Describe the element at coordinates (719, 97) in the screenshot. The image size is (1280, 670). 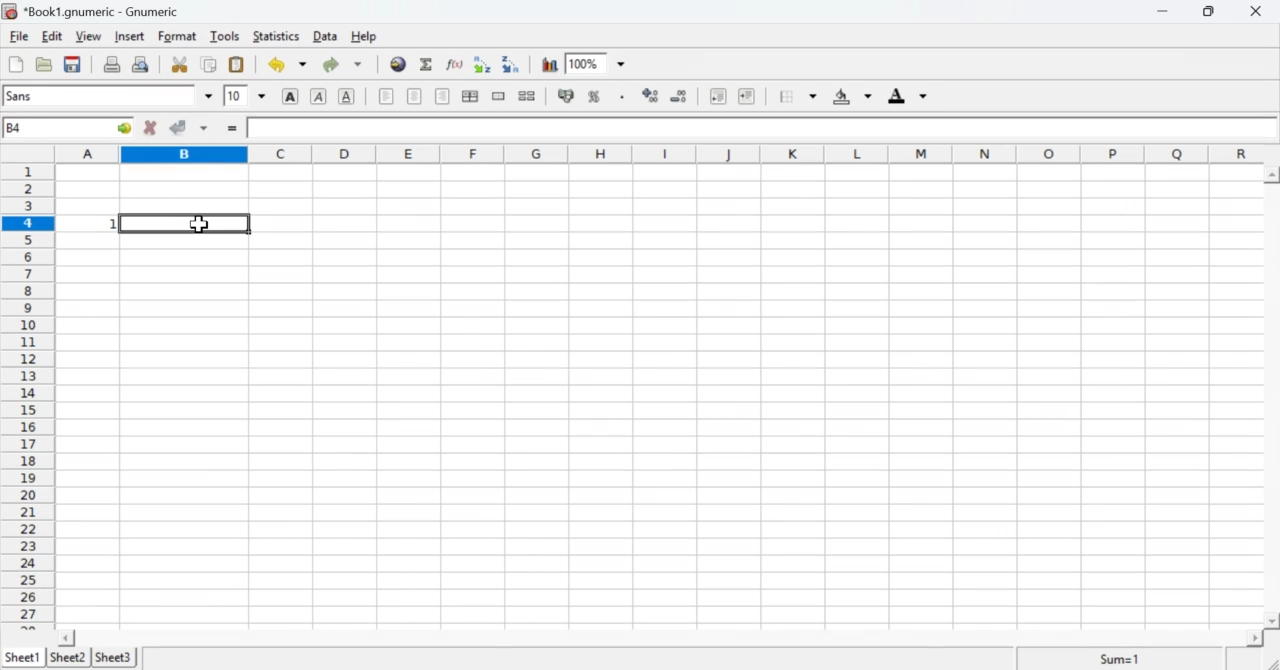
I see `Decrease indent, align to left.` at that location.